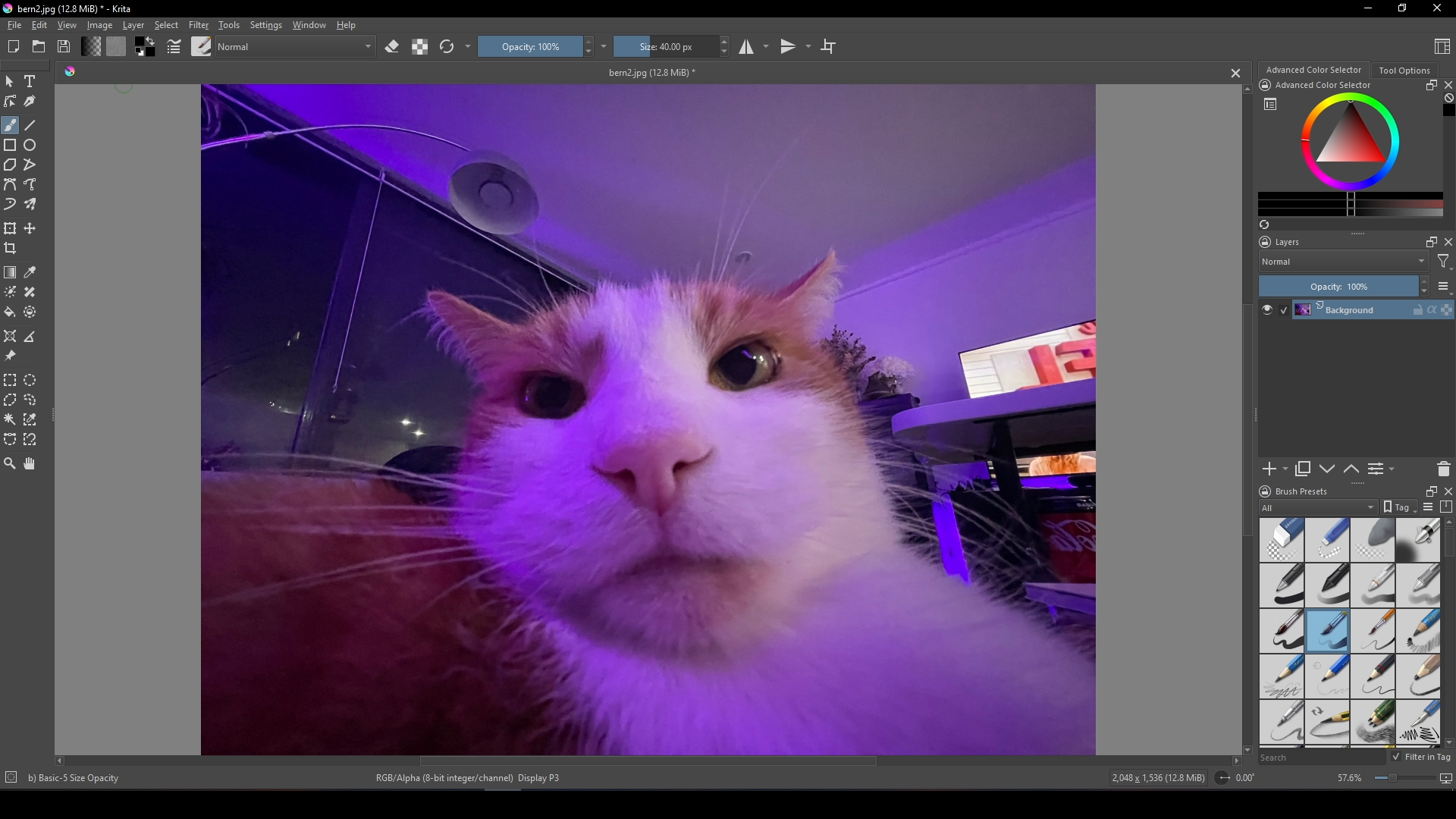 The height and width of the screenshot is (819, 1456). I want to click on Close brush docker, so click(1447, 491).